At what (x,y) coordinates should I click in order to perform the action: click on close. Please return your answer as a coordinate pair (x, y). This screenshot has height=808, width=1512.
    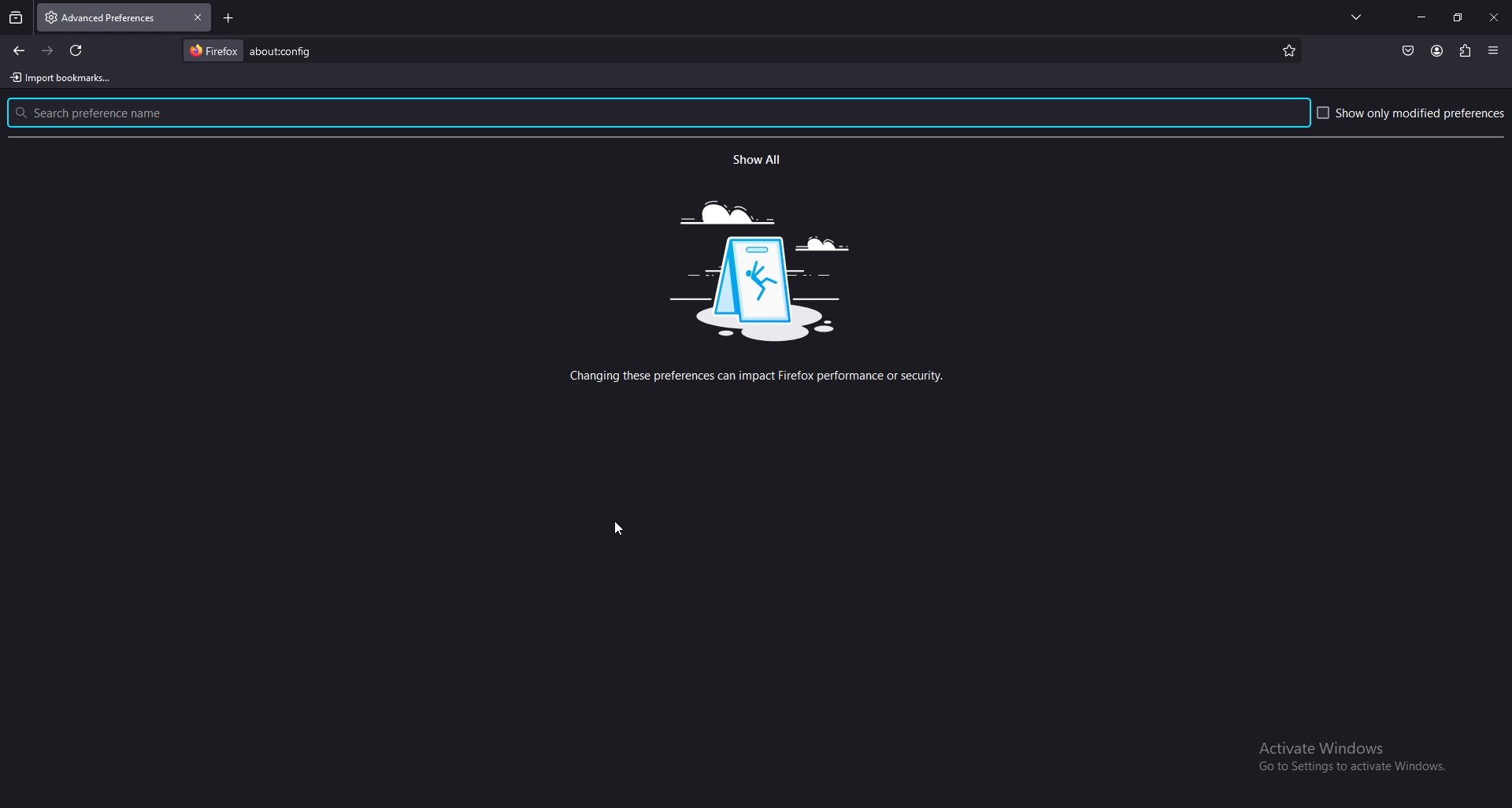
    Looking at the image, I should click on (1493, 19).